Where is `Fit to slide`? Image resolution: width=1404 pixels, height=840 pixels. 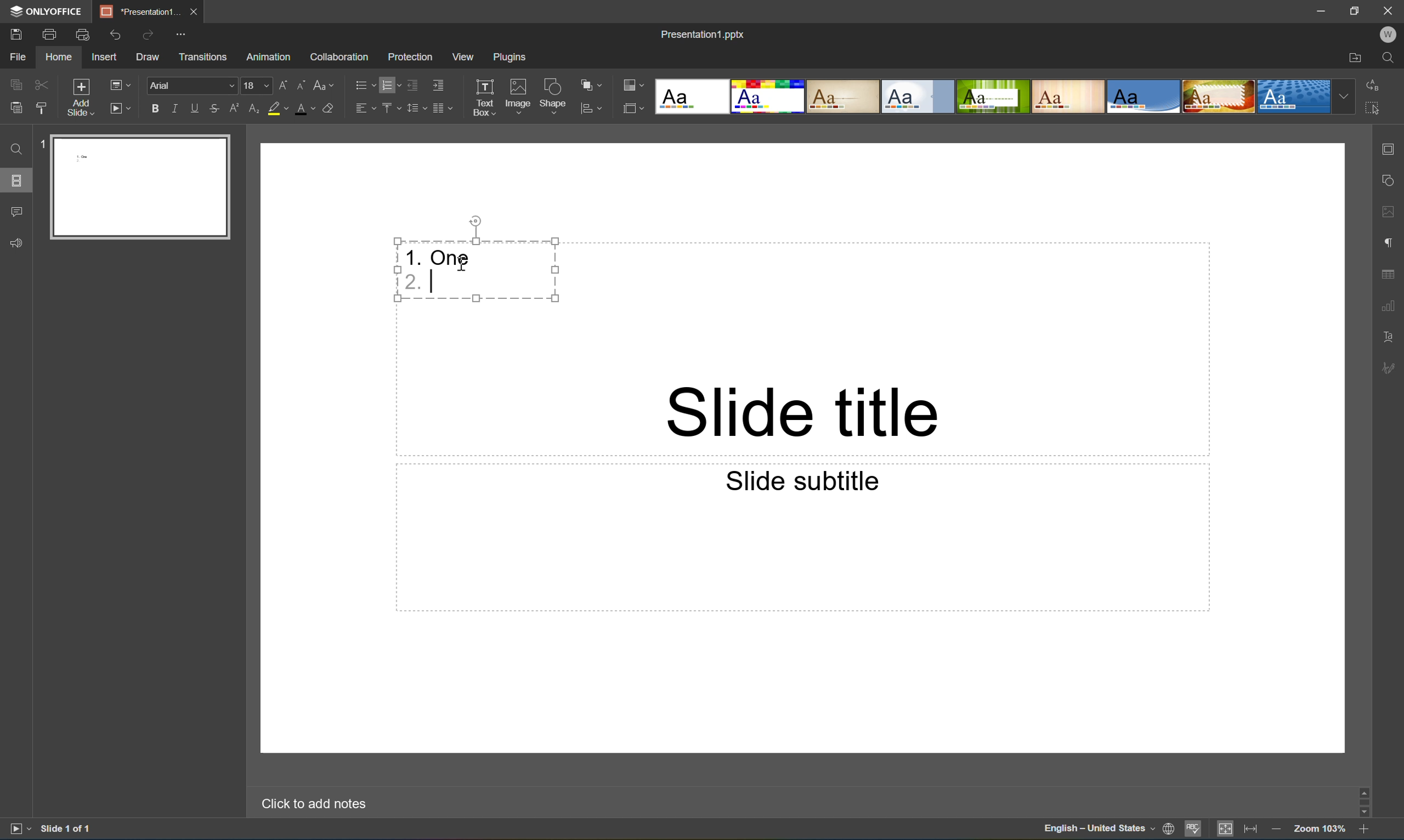
Fit to slide is located at coordinates (1227, 828).